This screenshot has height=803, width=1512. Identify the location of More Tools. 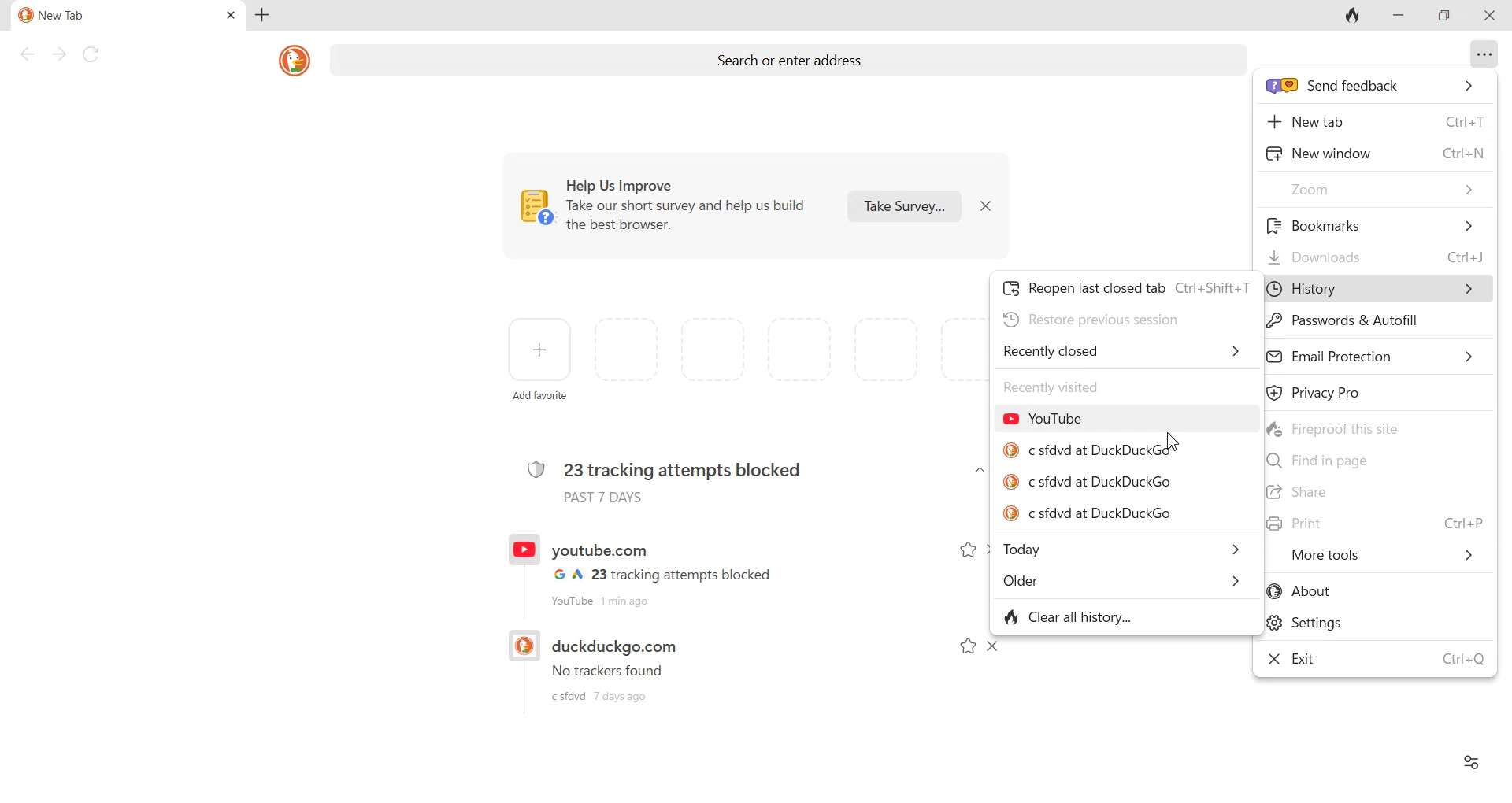
(1376, 552).